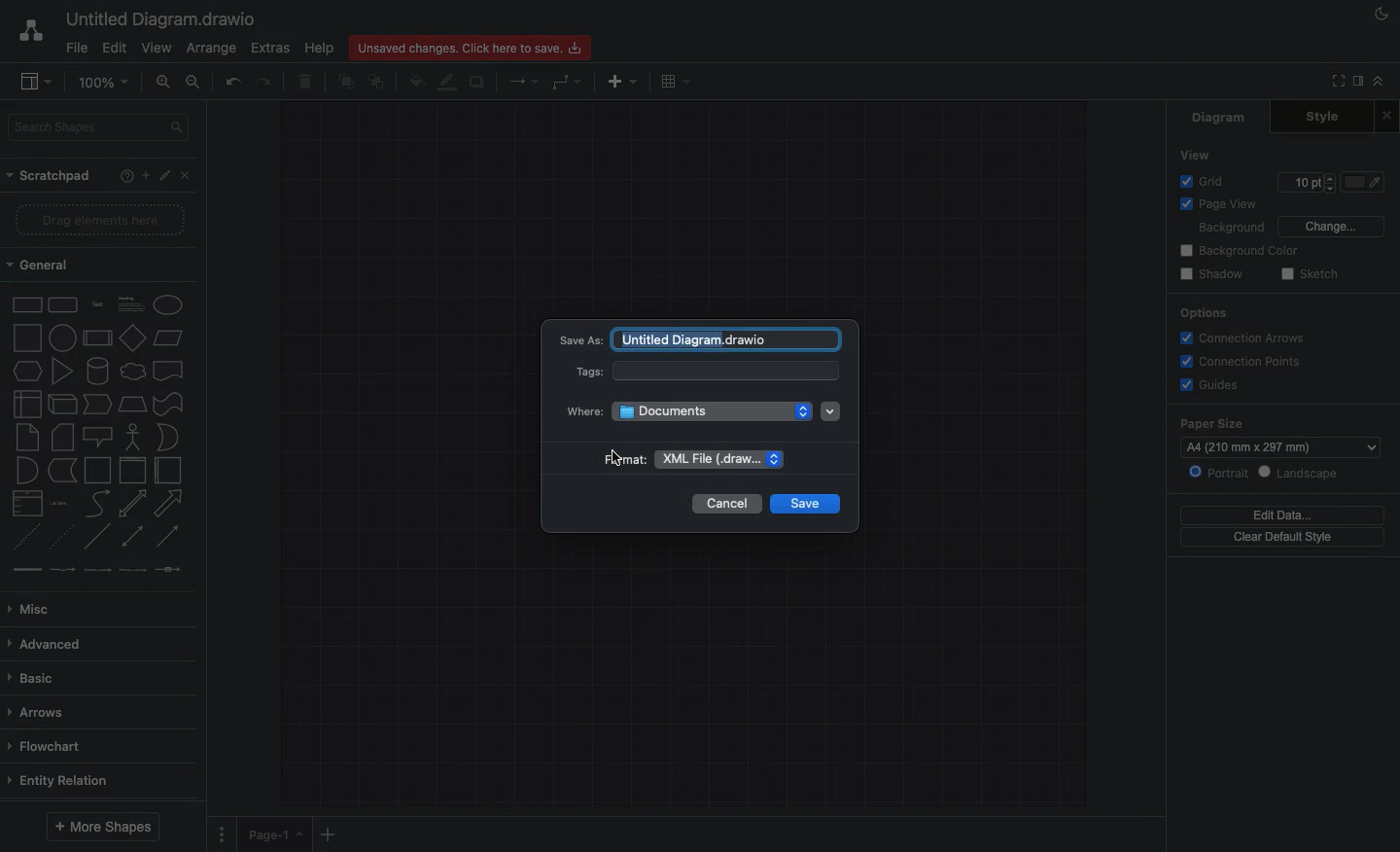 The image size is (1400, 852). Describe the element at coordinates (684, 461) in the screenshot. I see `Format` at that location.